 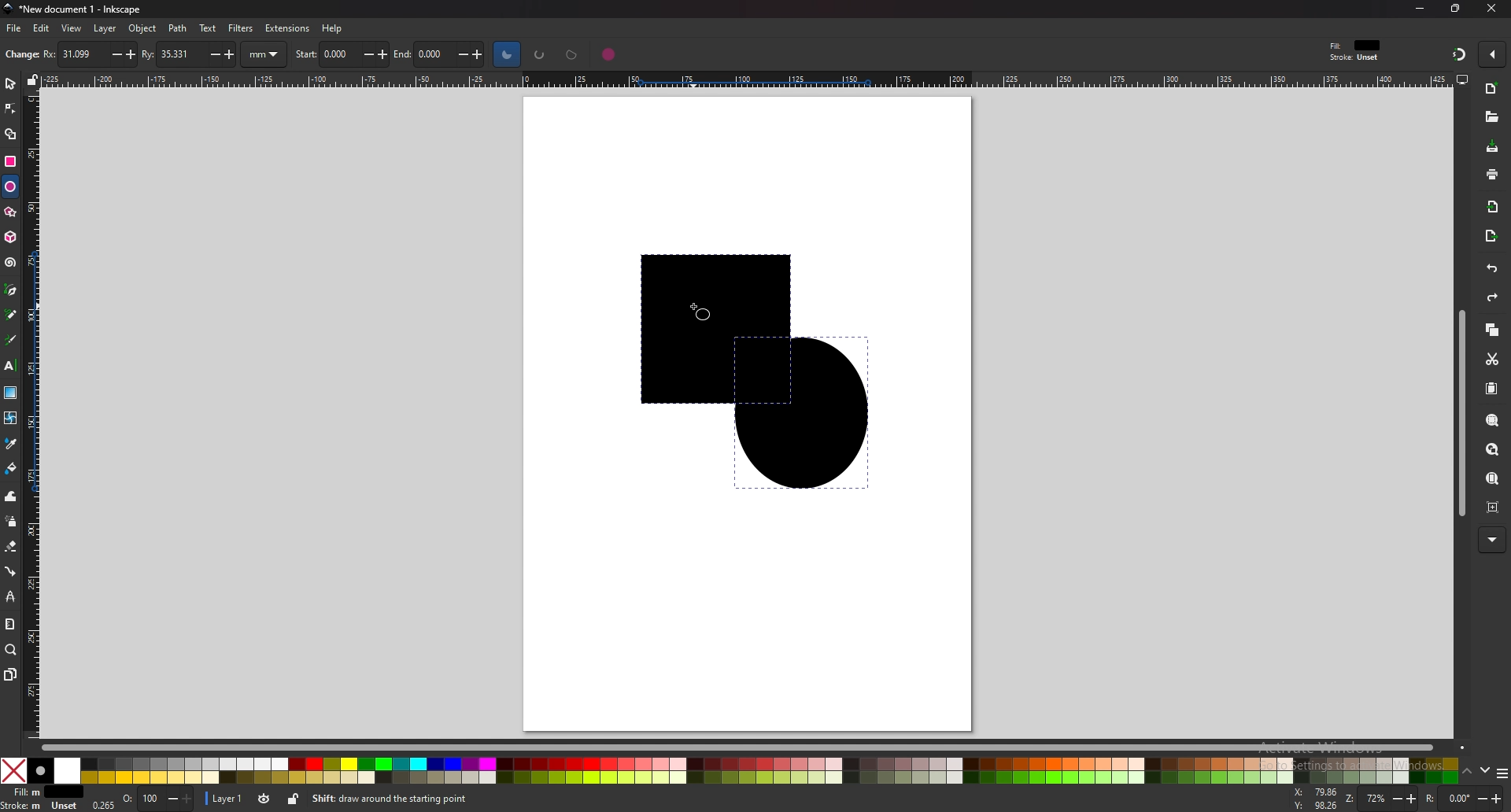 I want to click on up, so click(x=1469, y=772).